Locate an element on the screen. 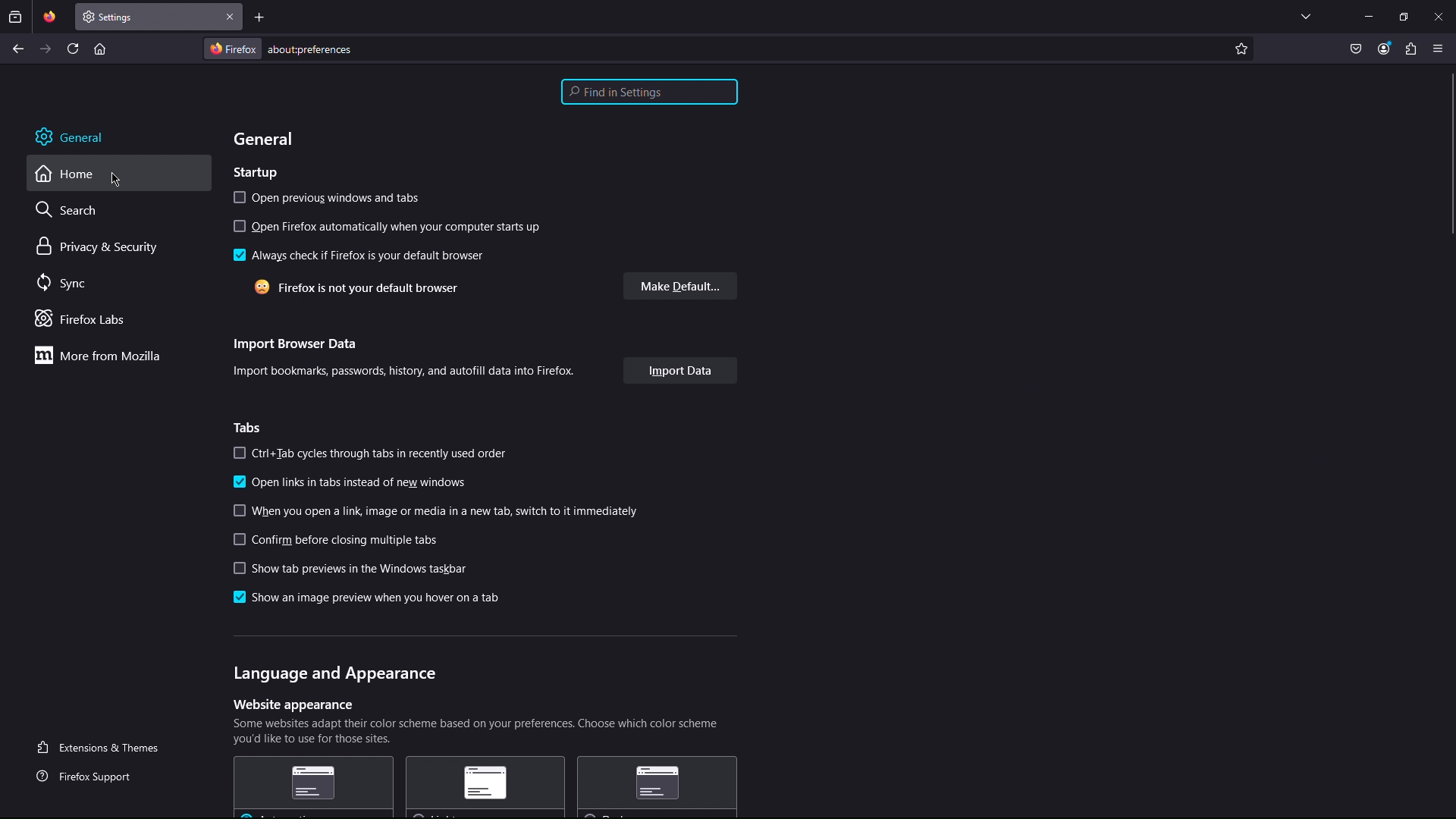 The height and width of the screenshot is (819, 1456). Appearance option 2 is located at coordinates (485, 786).